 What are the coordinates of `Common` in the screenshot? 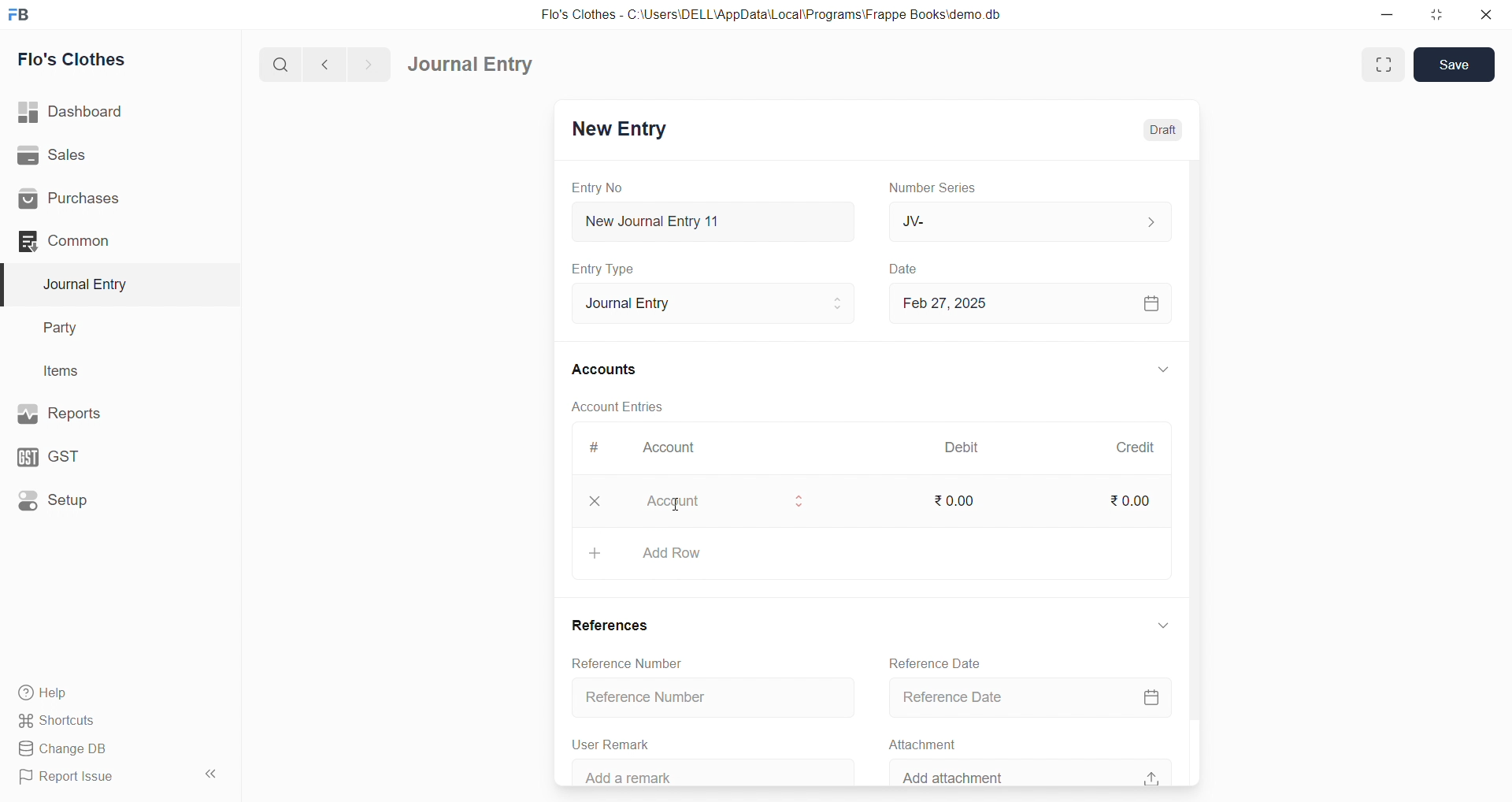 It's located at (94, 242).